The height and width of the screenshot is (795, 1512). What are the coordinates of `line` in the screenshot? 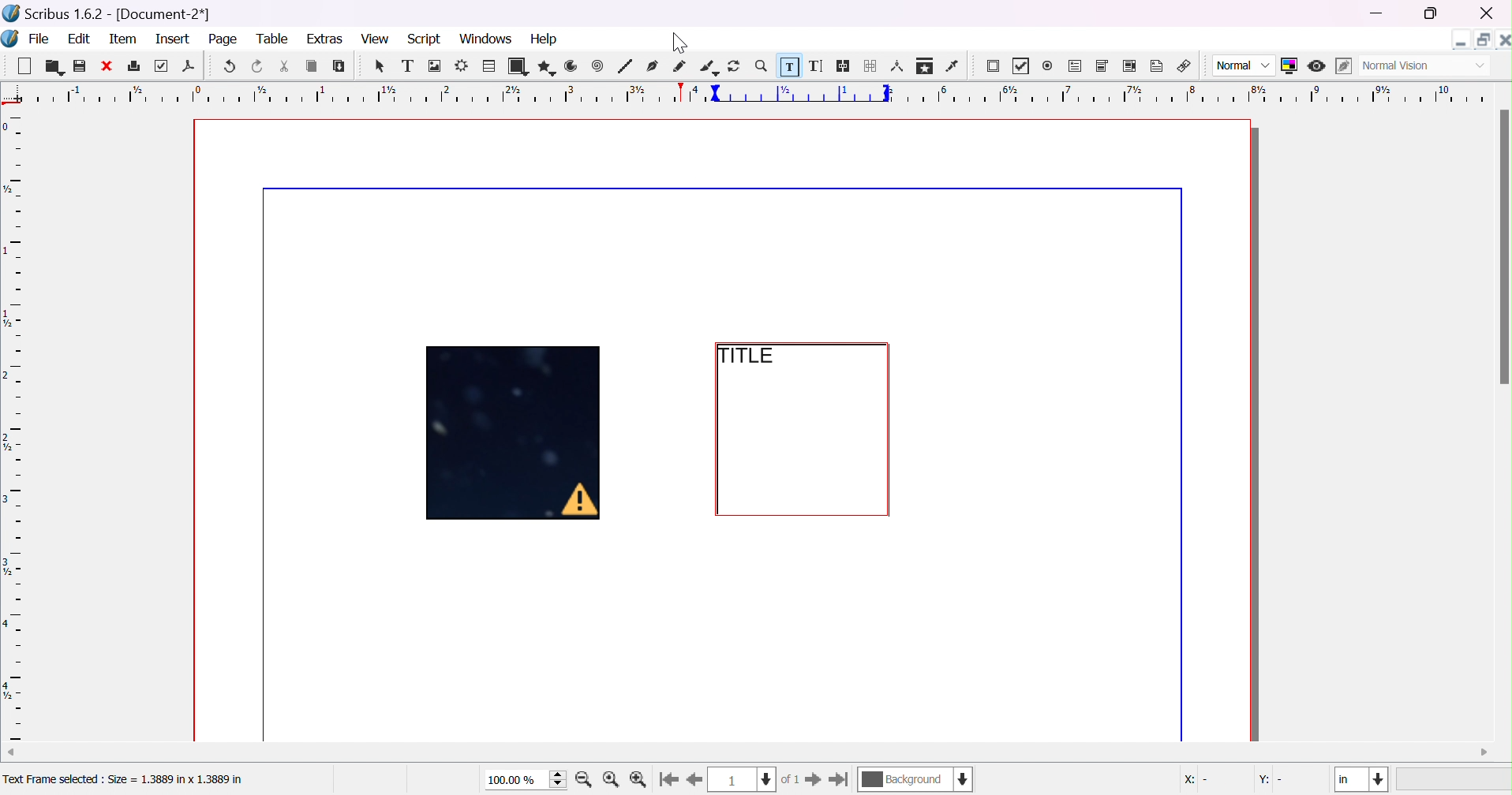 It's located at (625, 66).